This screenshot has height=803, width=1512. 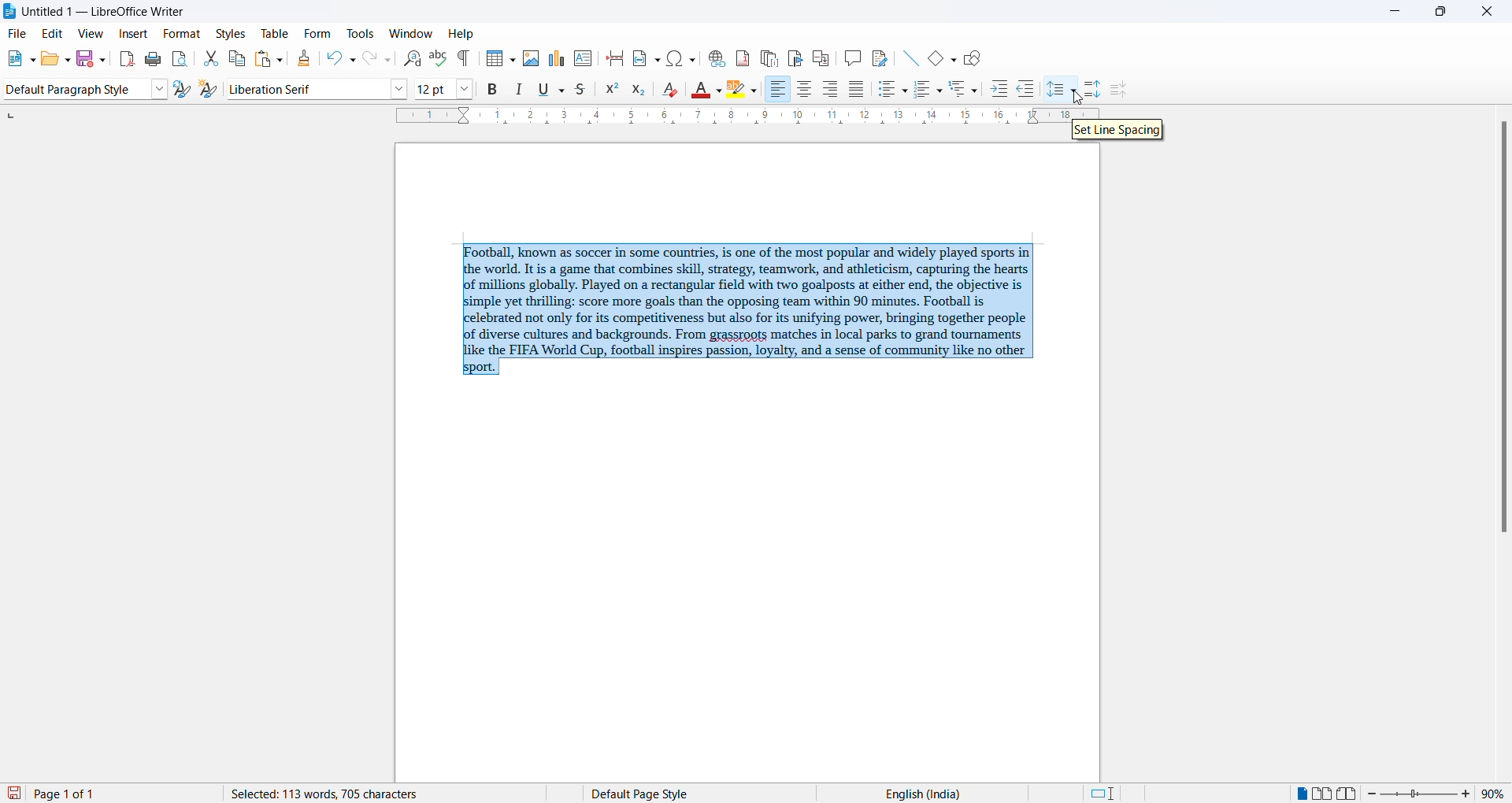 I want to click on insert hyperlink, so click(x=717, y=60).